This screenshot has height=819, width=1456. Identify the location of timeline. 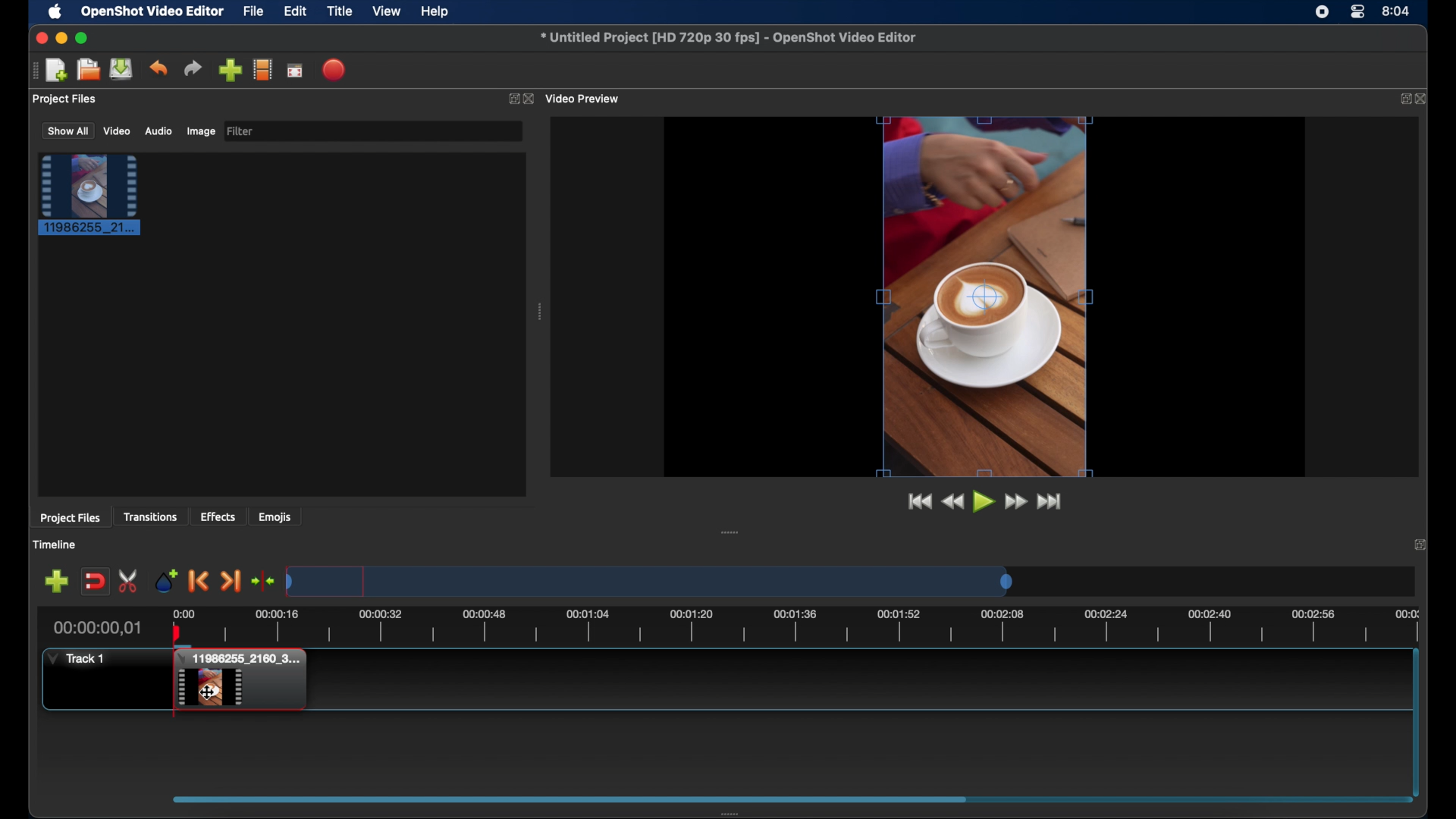
(56, 544).